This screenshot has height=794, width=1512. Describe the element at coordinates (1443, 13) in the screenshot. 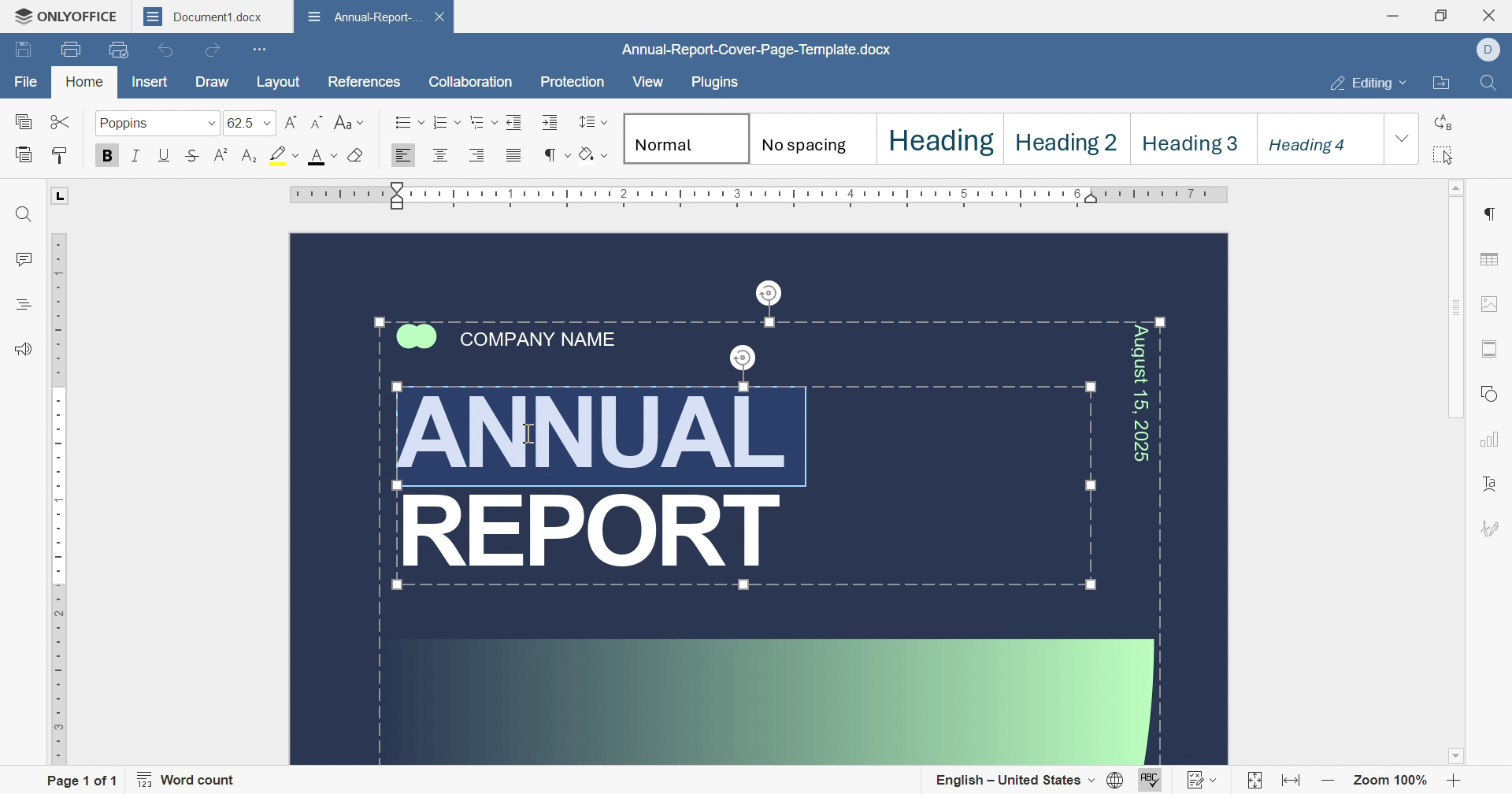

I see `restore down` at that location.